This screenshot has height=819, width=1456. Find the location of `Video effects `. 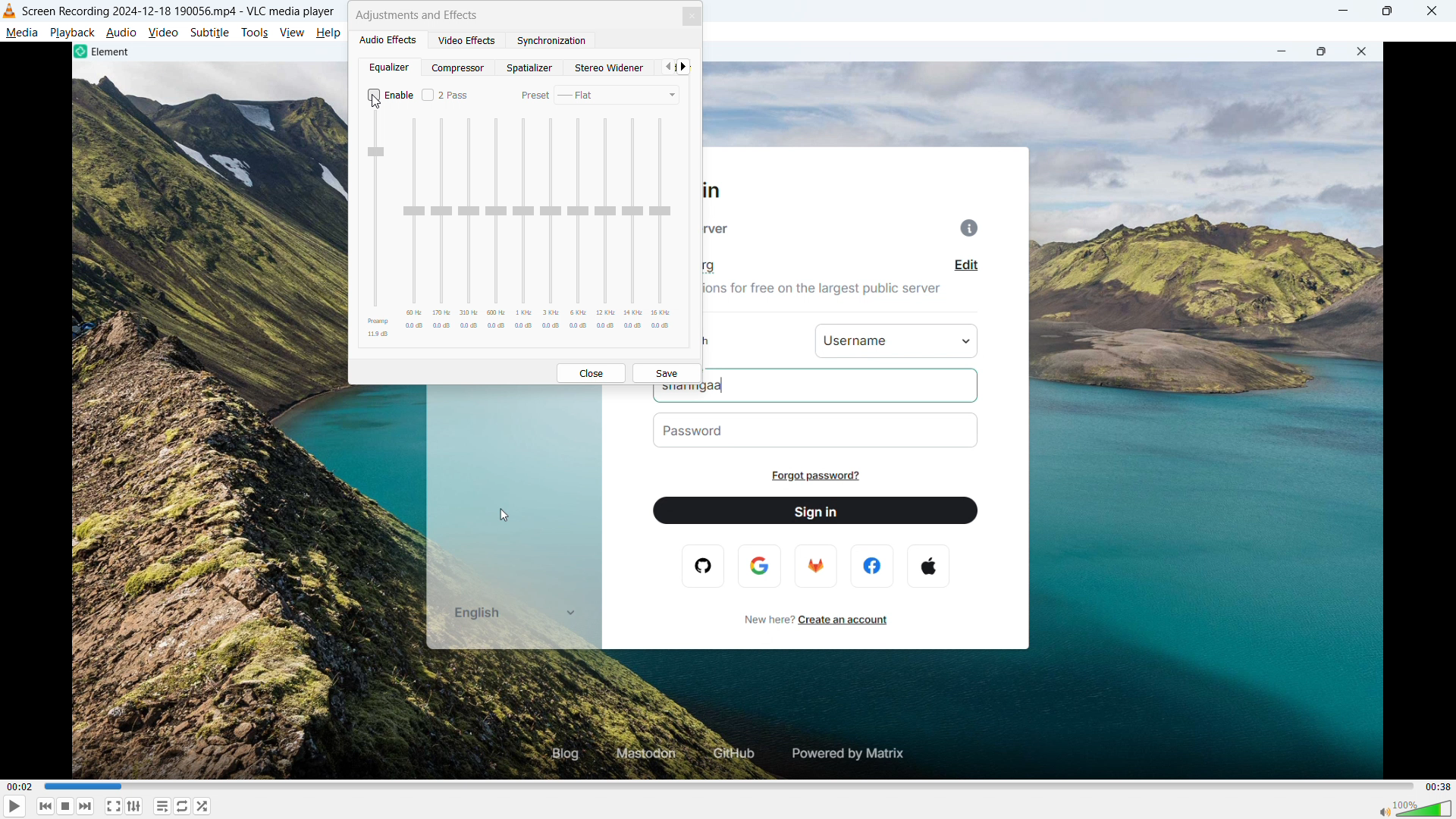

Video effects  is located at coordinates (468, 39).